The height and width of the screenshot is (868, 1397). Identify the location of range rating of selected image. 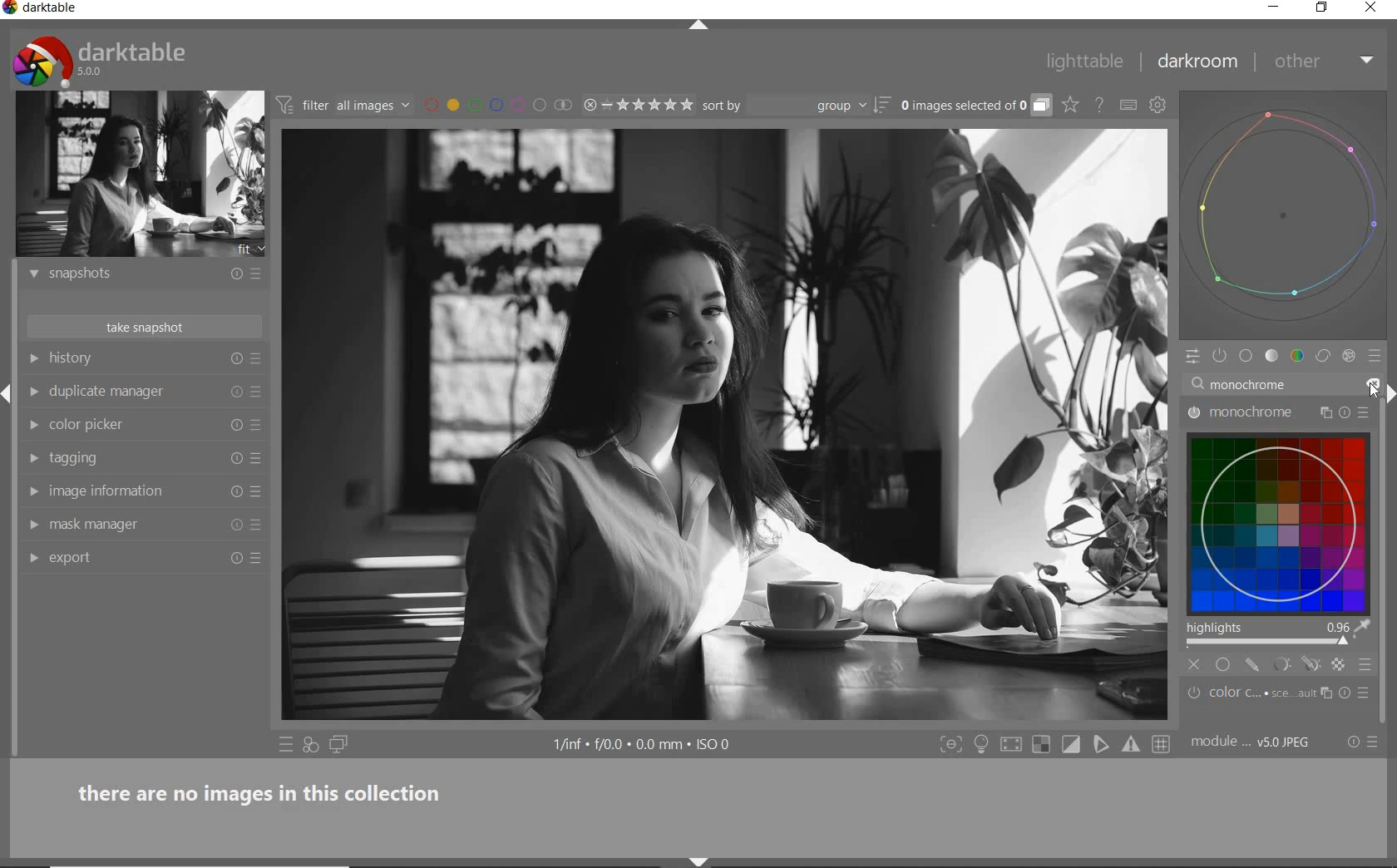
(637, 106).